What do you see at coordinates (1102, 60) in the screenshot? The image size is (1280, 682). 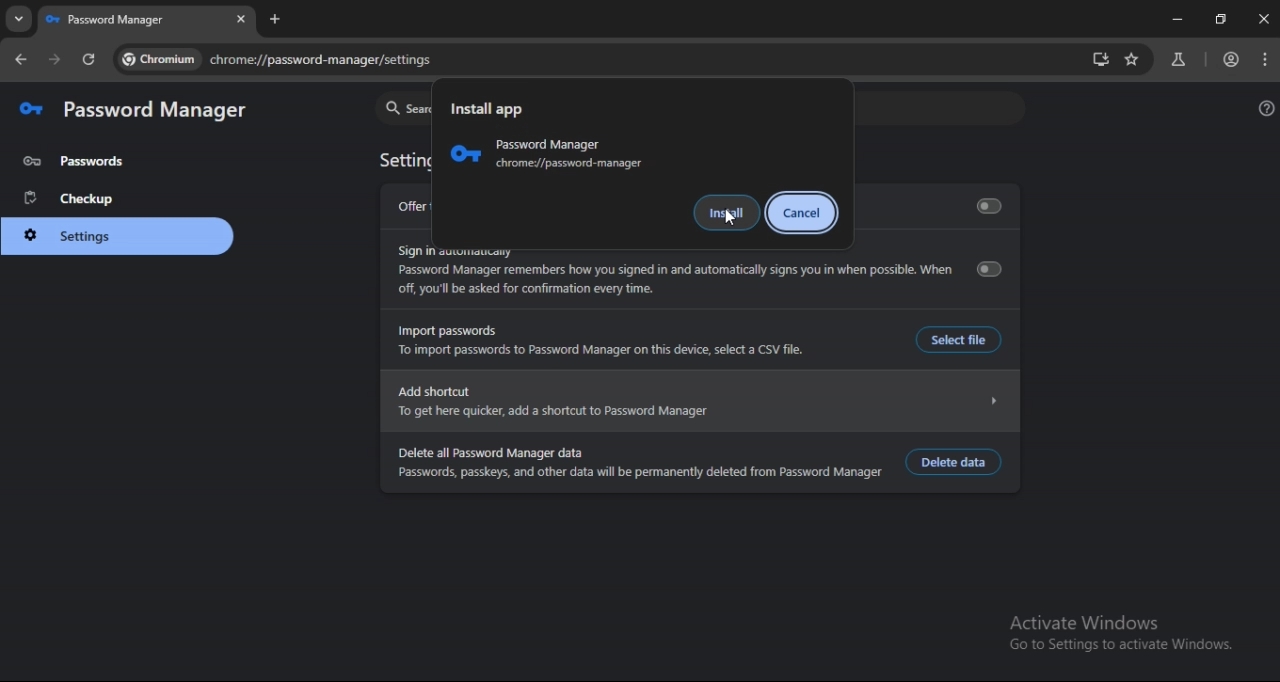 I see `install app` at bounding box center [1102, 60].